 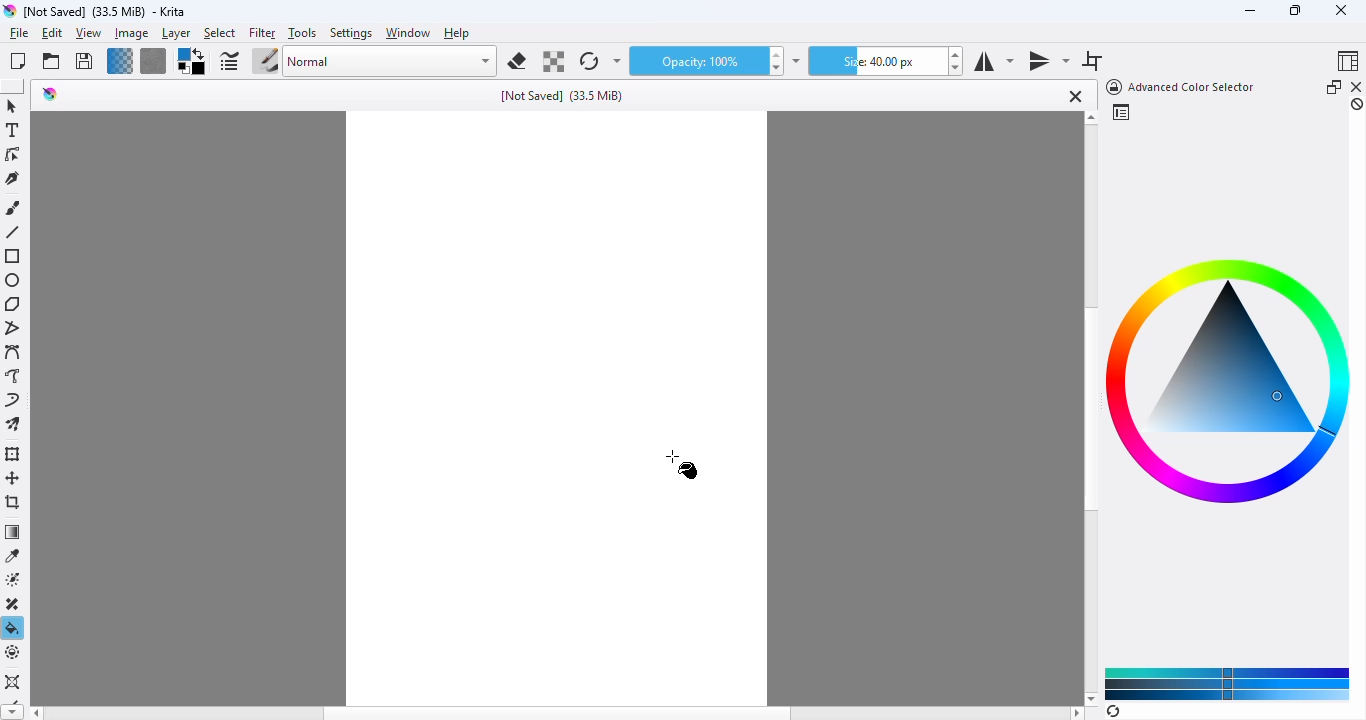 I want to click on smart patch tool, so click(x=15, y=604).